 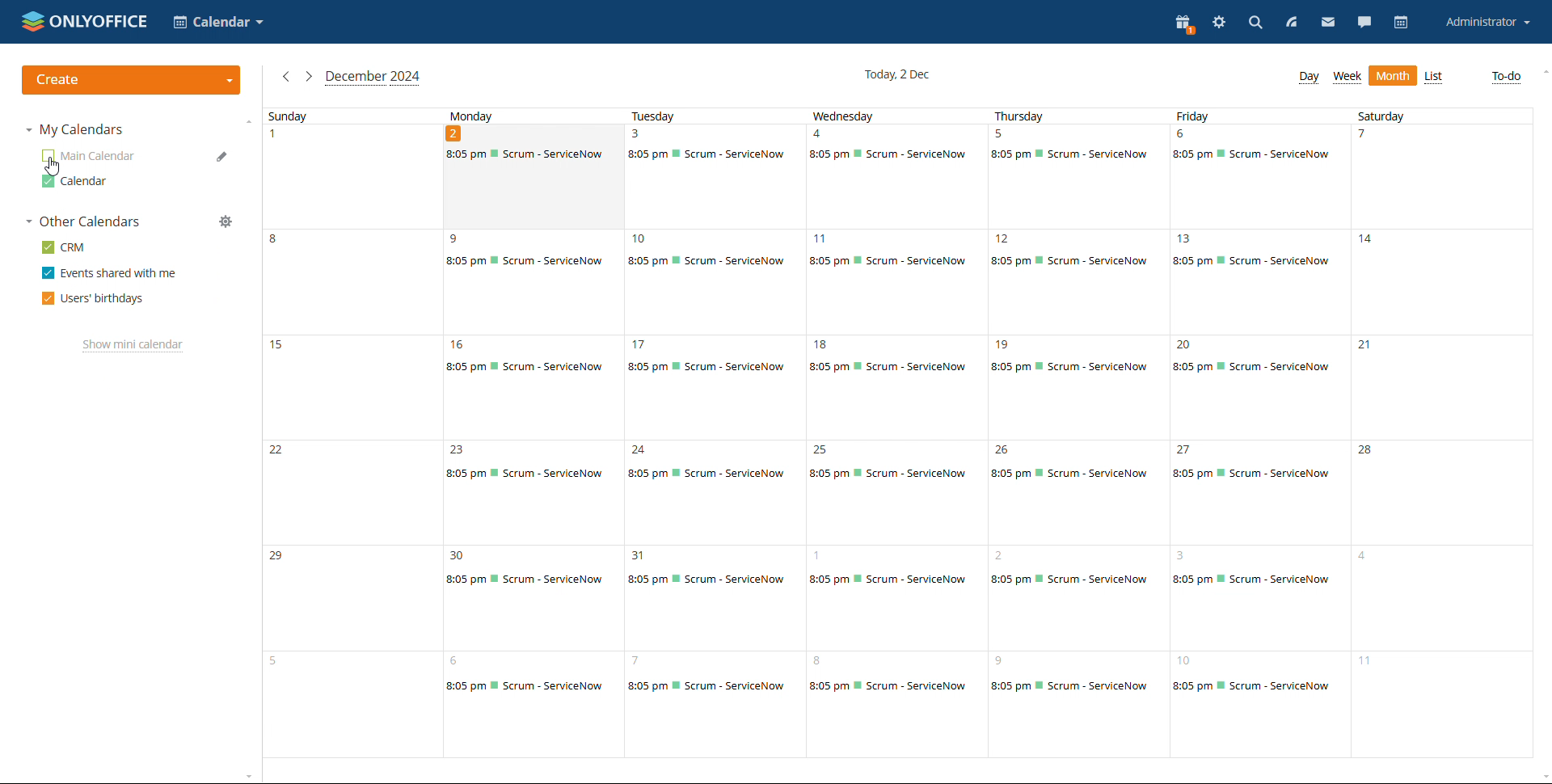 What do you see at coordinates (286, 77) in the screenshot?
I see `previous month` at bounding box center [286, 77].